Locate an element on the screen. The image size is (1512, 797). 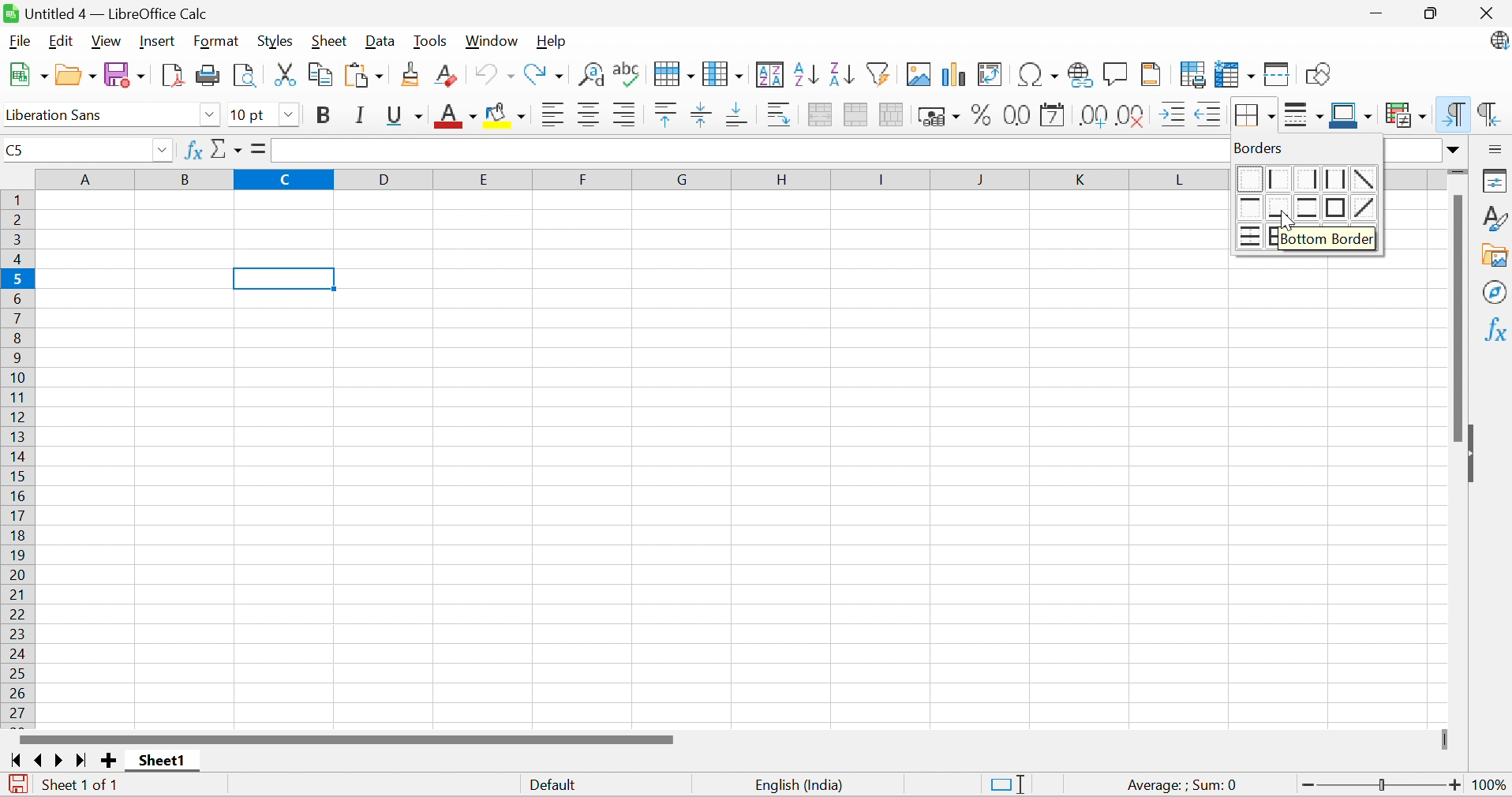
View is located at coordinates (107, 42).